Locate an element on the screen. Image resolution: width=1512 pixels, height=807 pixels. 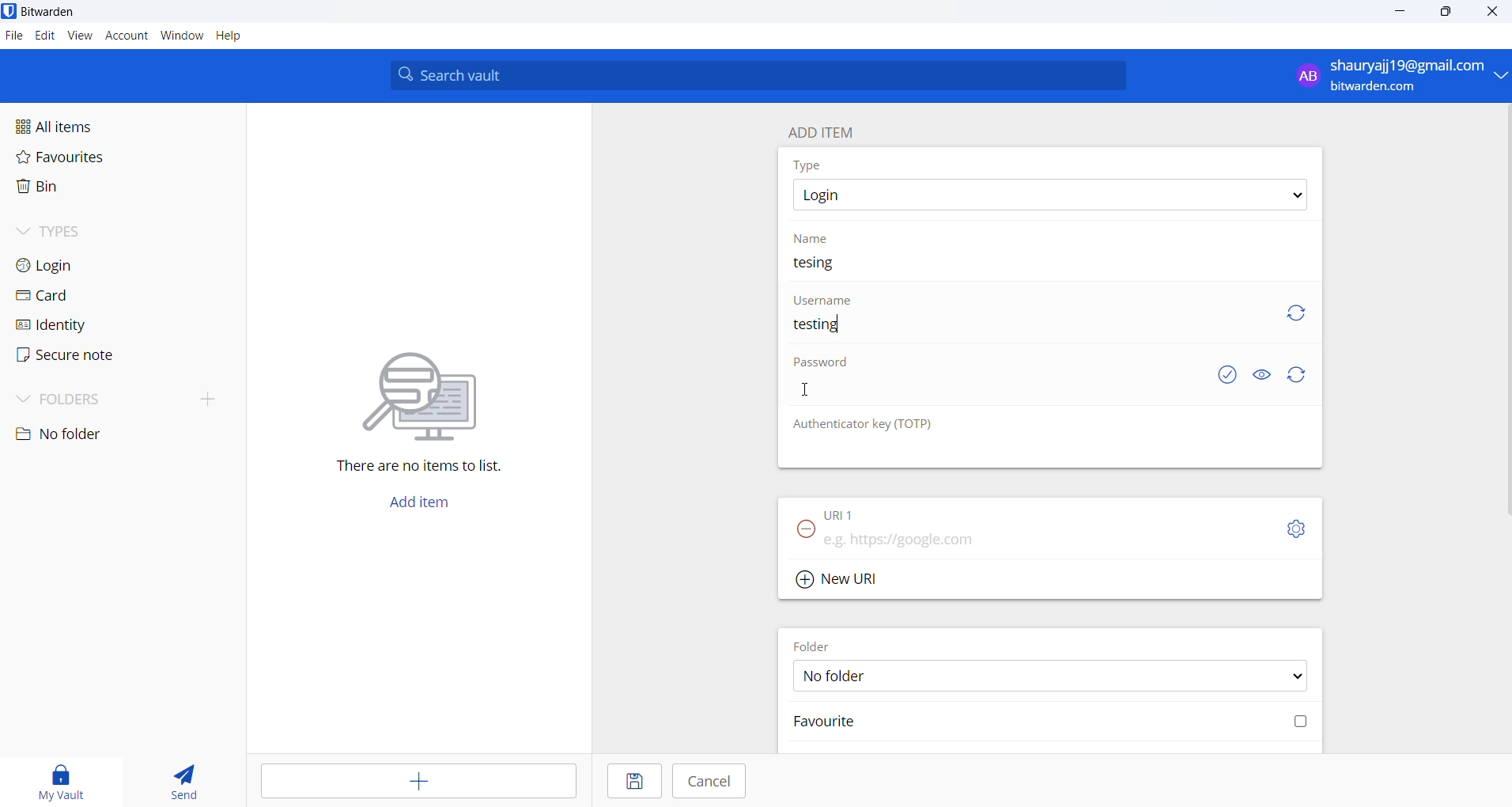
FOLDER OPTIONS is located at coordinates (1057, 675).